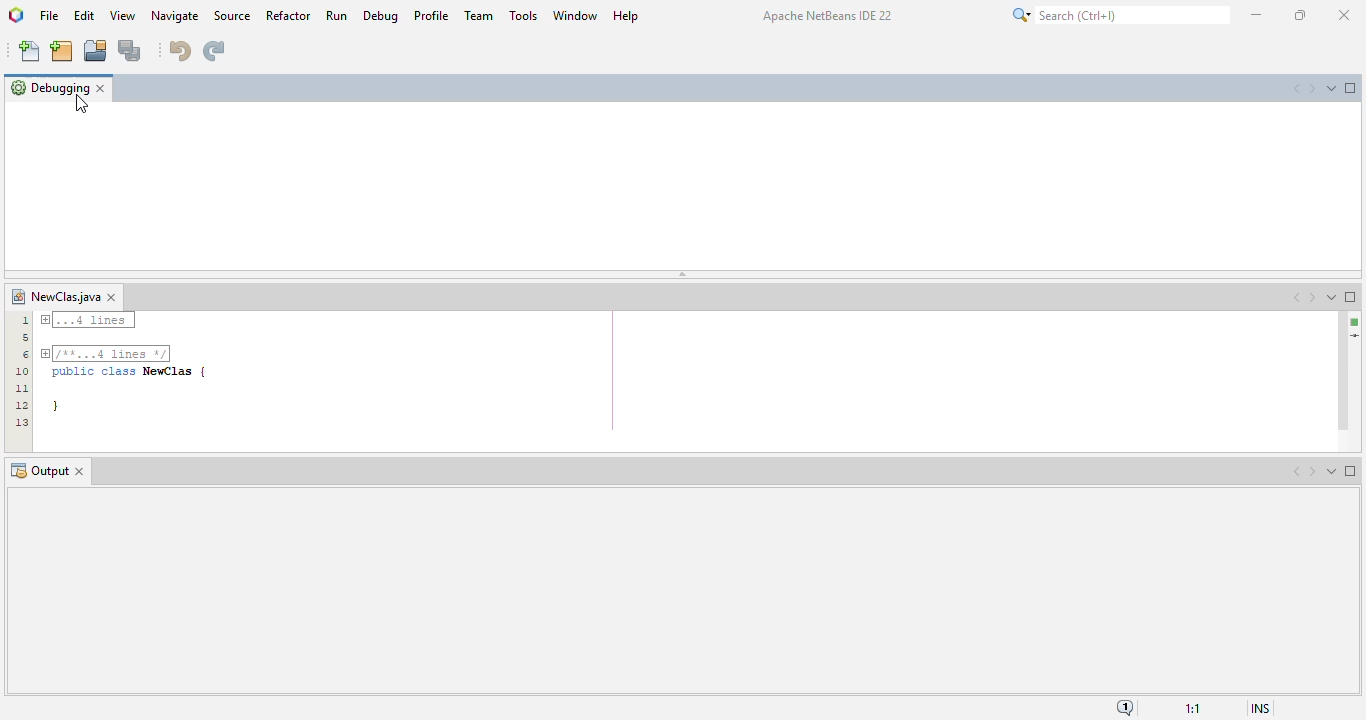 The image size is (1366, 720). I want to click on tools, so click(524, 14).